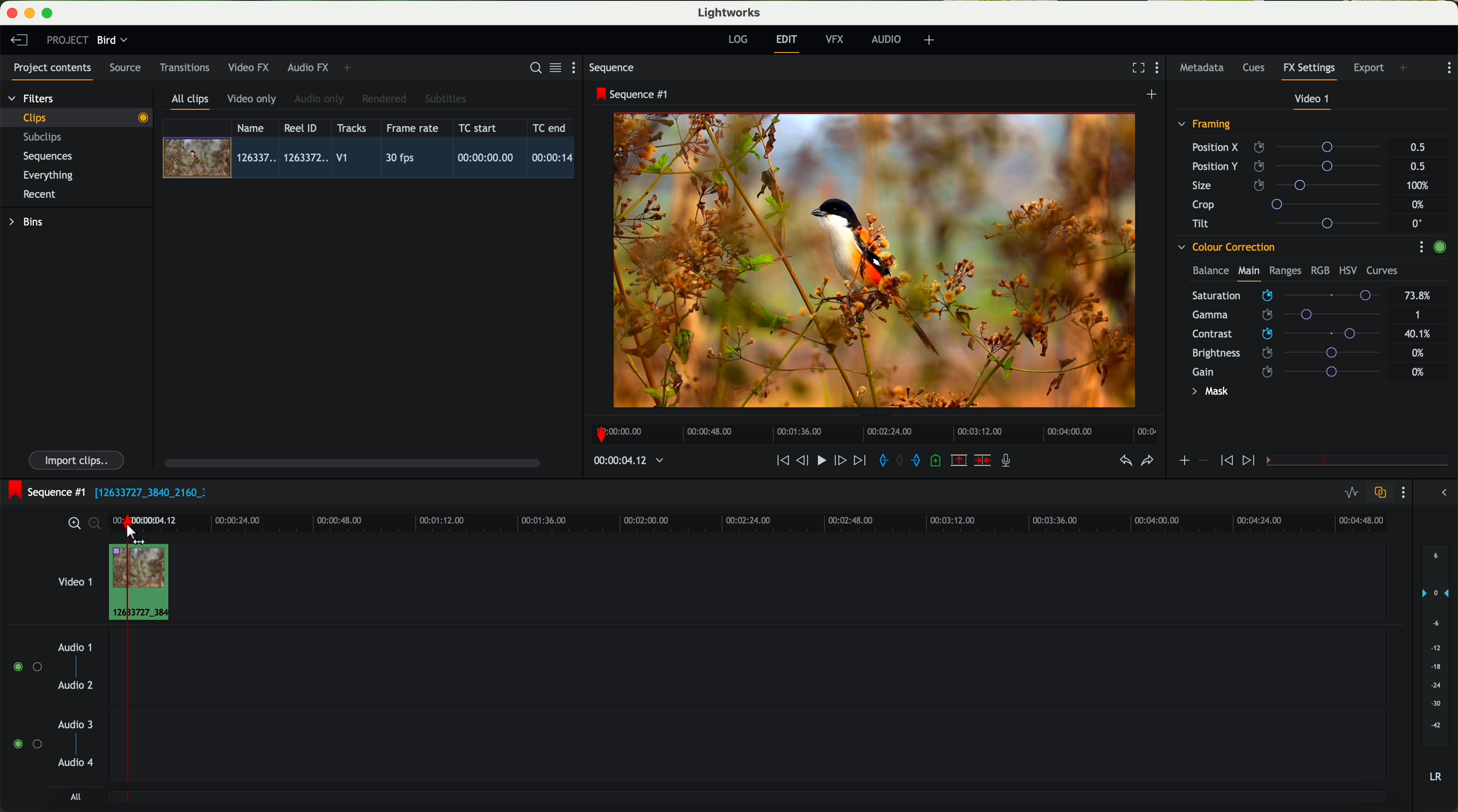  I want to click on audio FX, so click(308, 67).